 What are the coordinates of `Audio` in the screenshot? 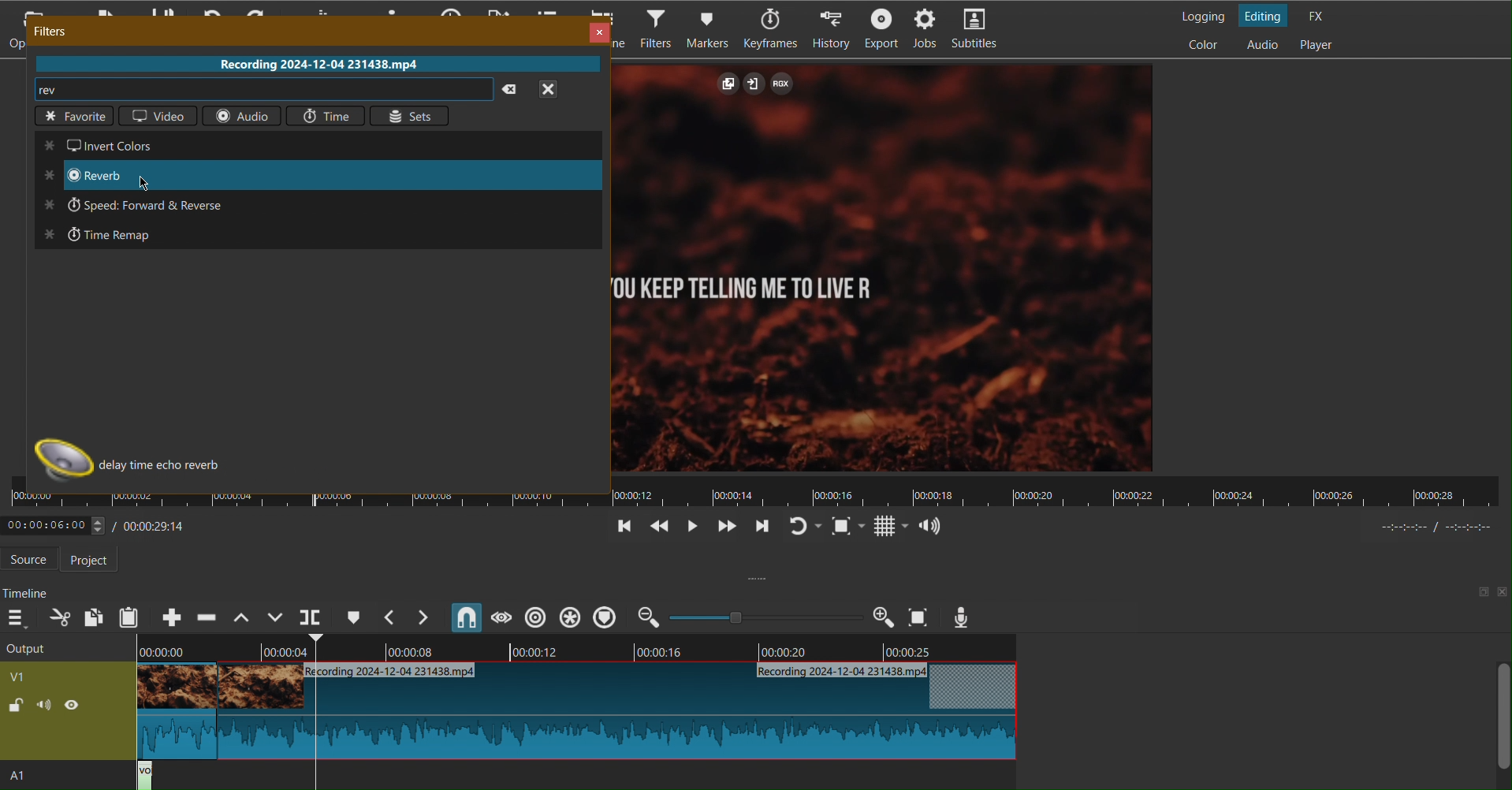 It's located at (240, 115).